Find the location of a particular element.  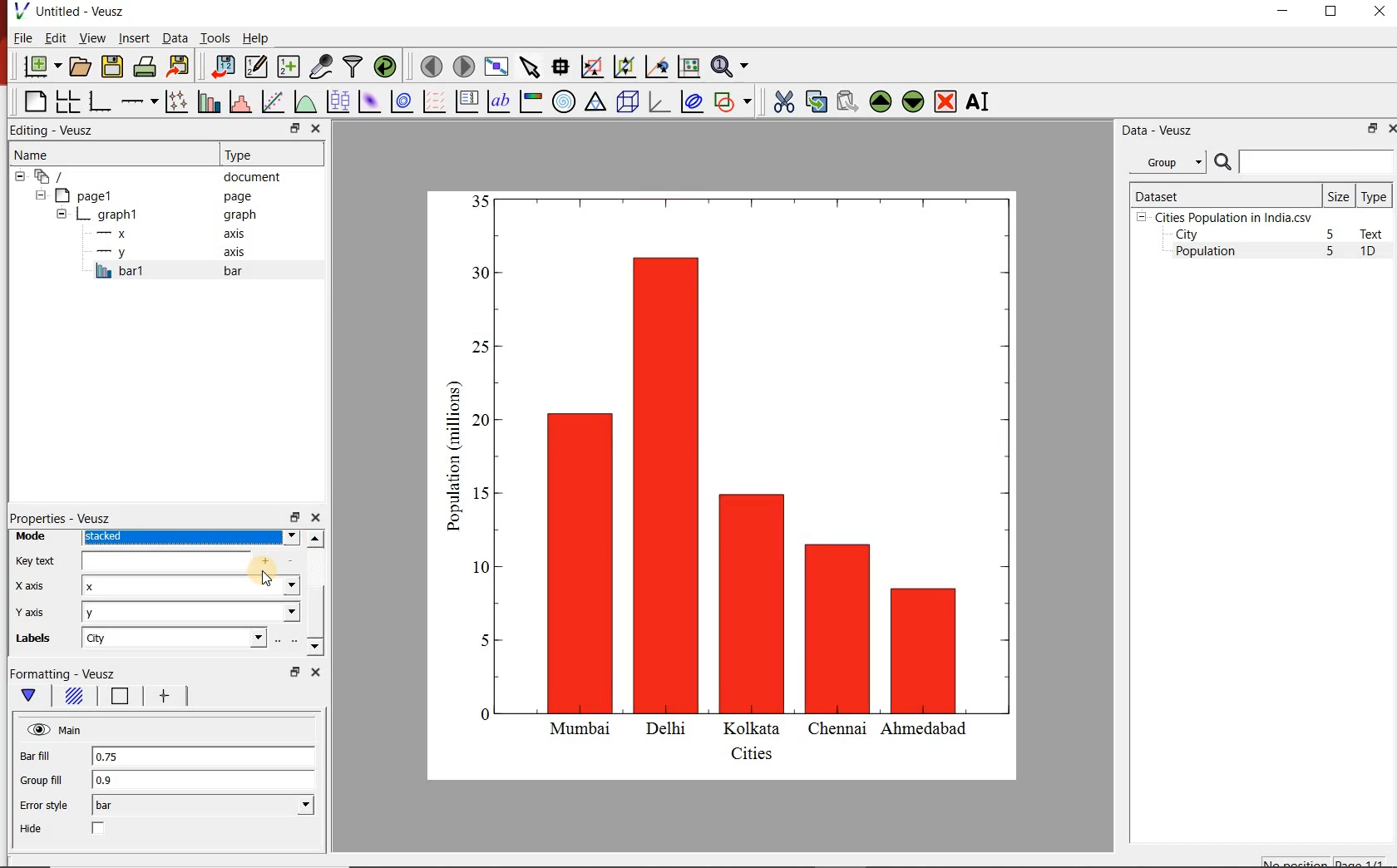

3d graph is located at coordinates (658, 101).